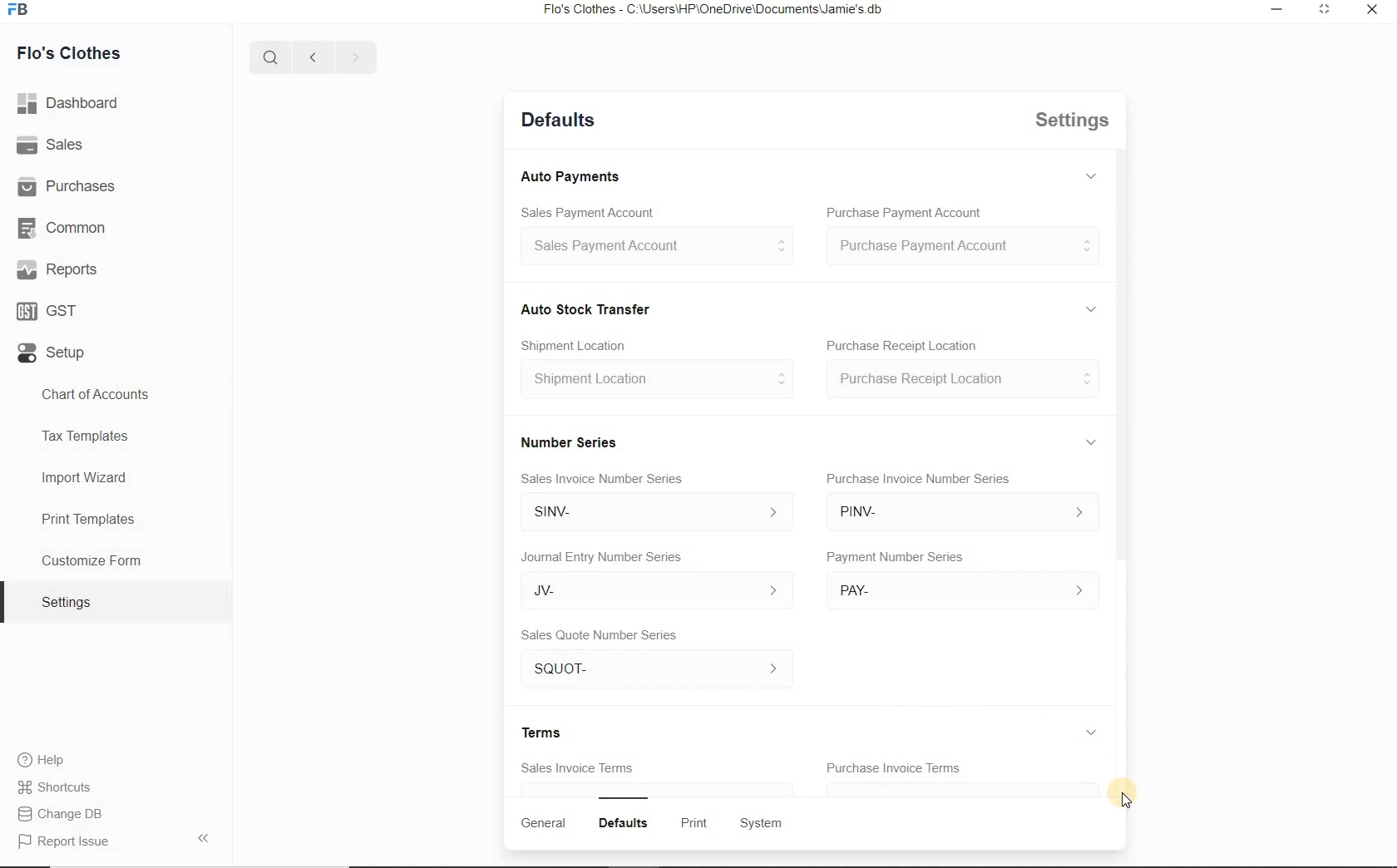 Image resolution: width=1397 pixels, height=868 pixels. Describe the element at coordinates (115, 479) in the screenshot. I see `Import Wizard` at that location.